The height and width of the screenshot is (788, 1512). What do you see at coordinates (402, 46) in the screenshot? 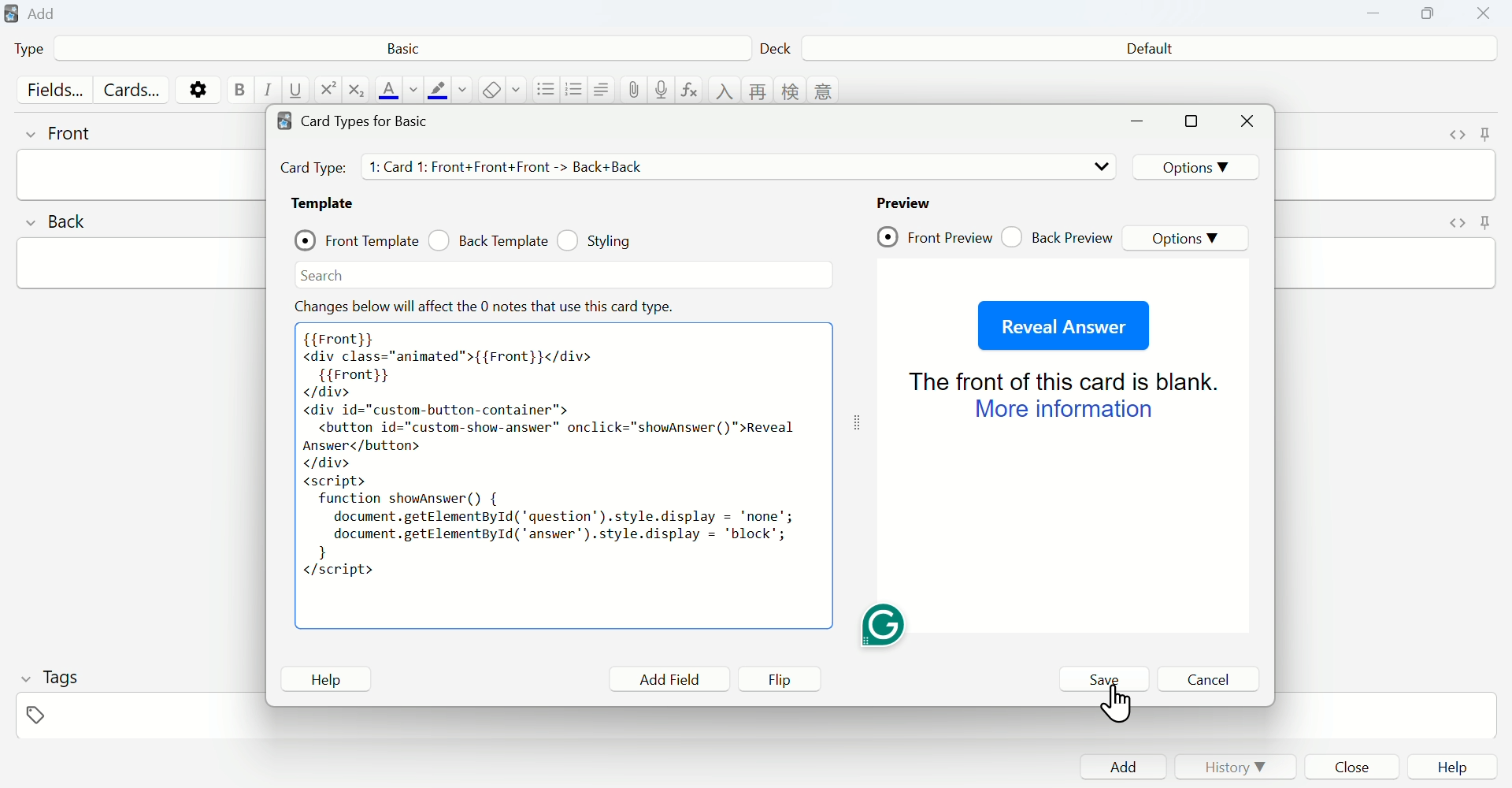
I see `Basic` at bounding box center [402, 46].